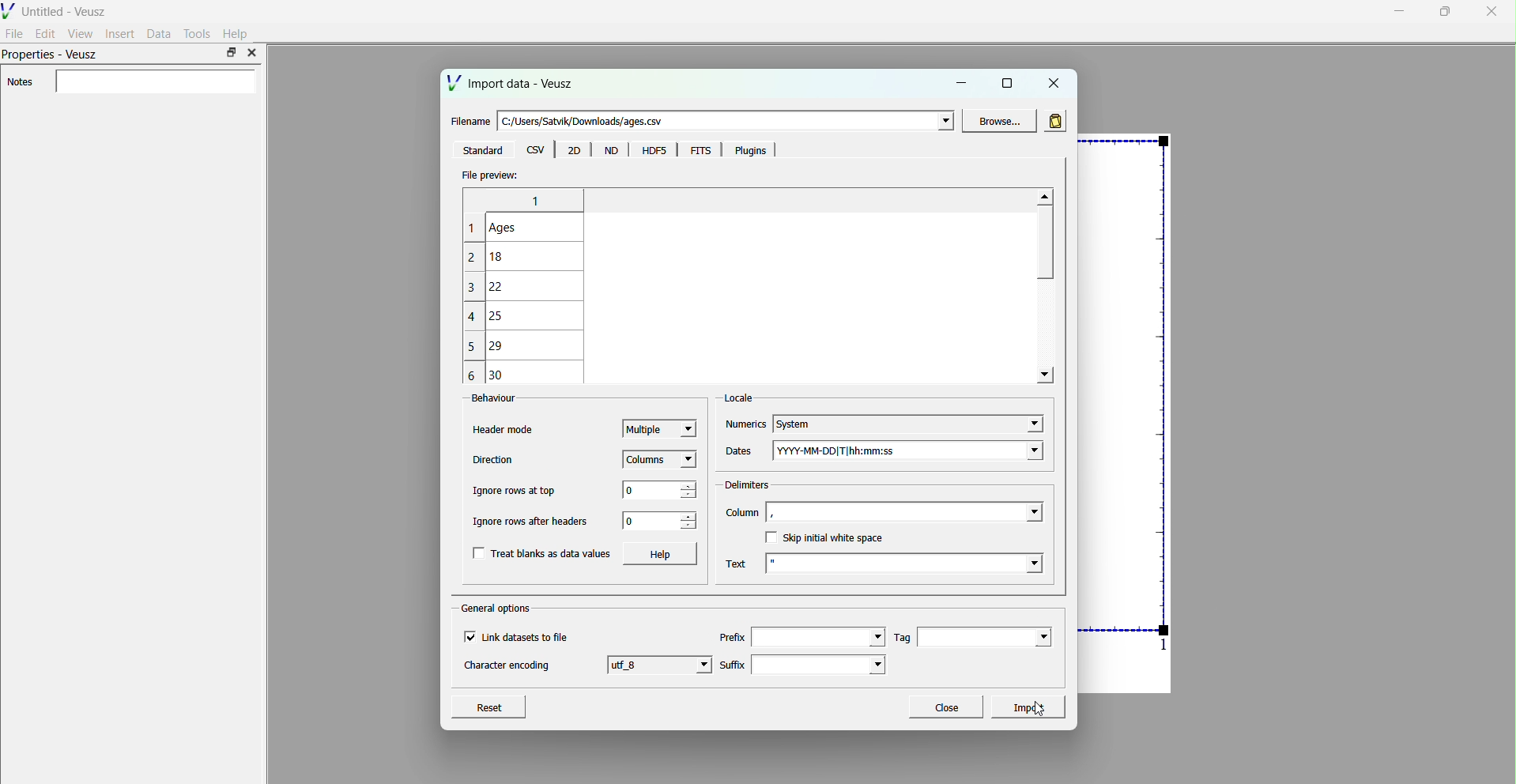  Describe the element at coordinates (479, 554) in the screenshot. I see `checkbox` at that location.